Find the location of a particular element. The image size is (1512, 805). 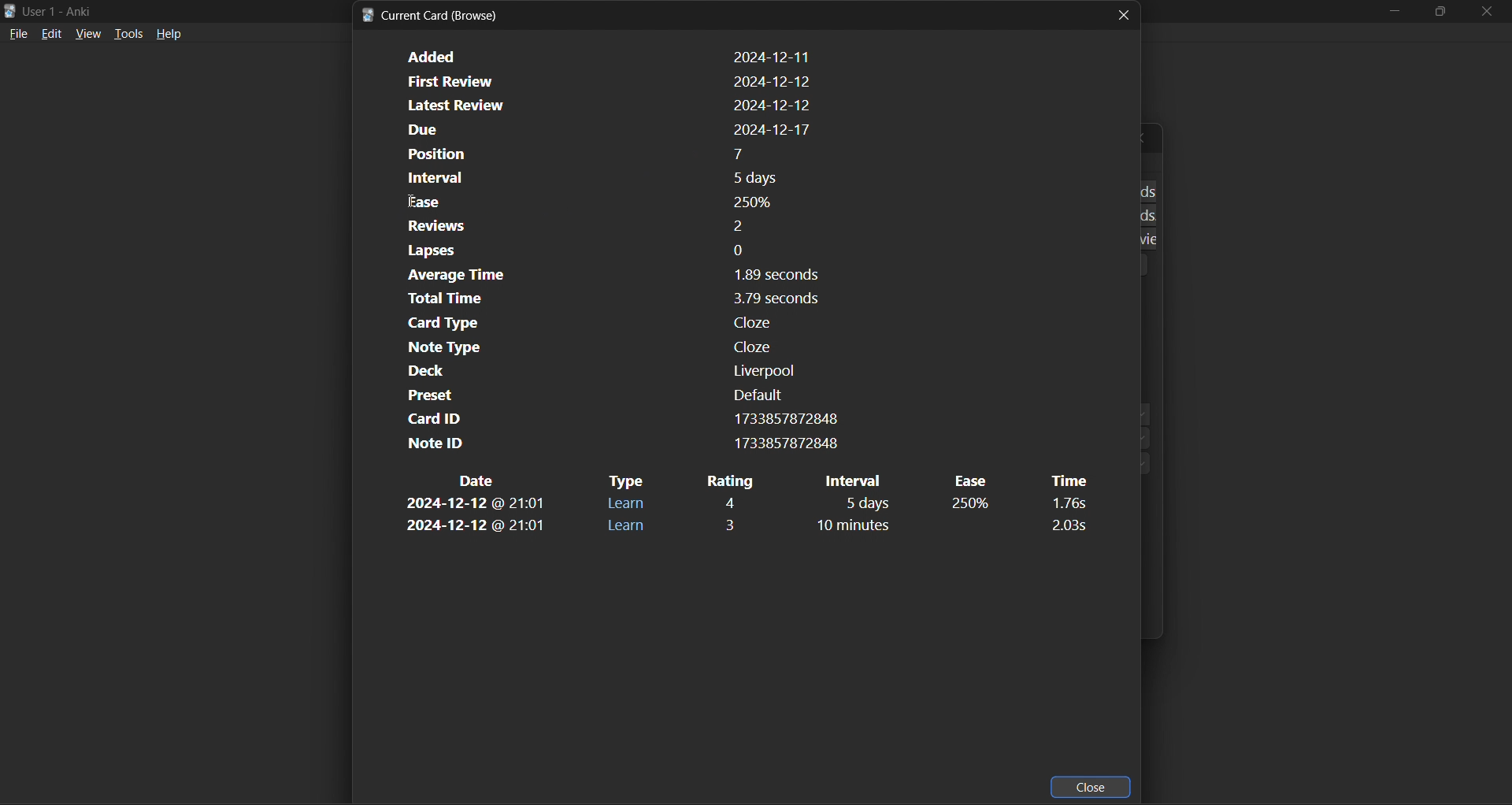

card interval is located at coordinates (603, 178).